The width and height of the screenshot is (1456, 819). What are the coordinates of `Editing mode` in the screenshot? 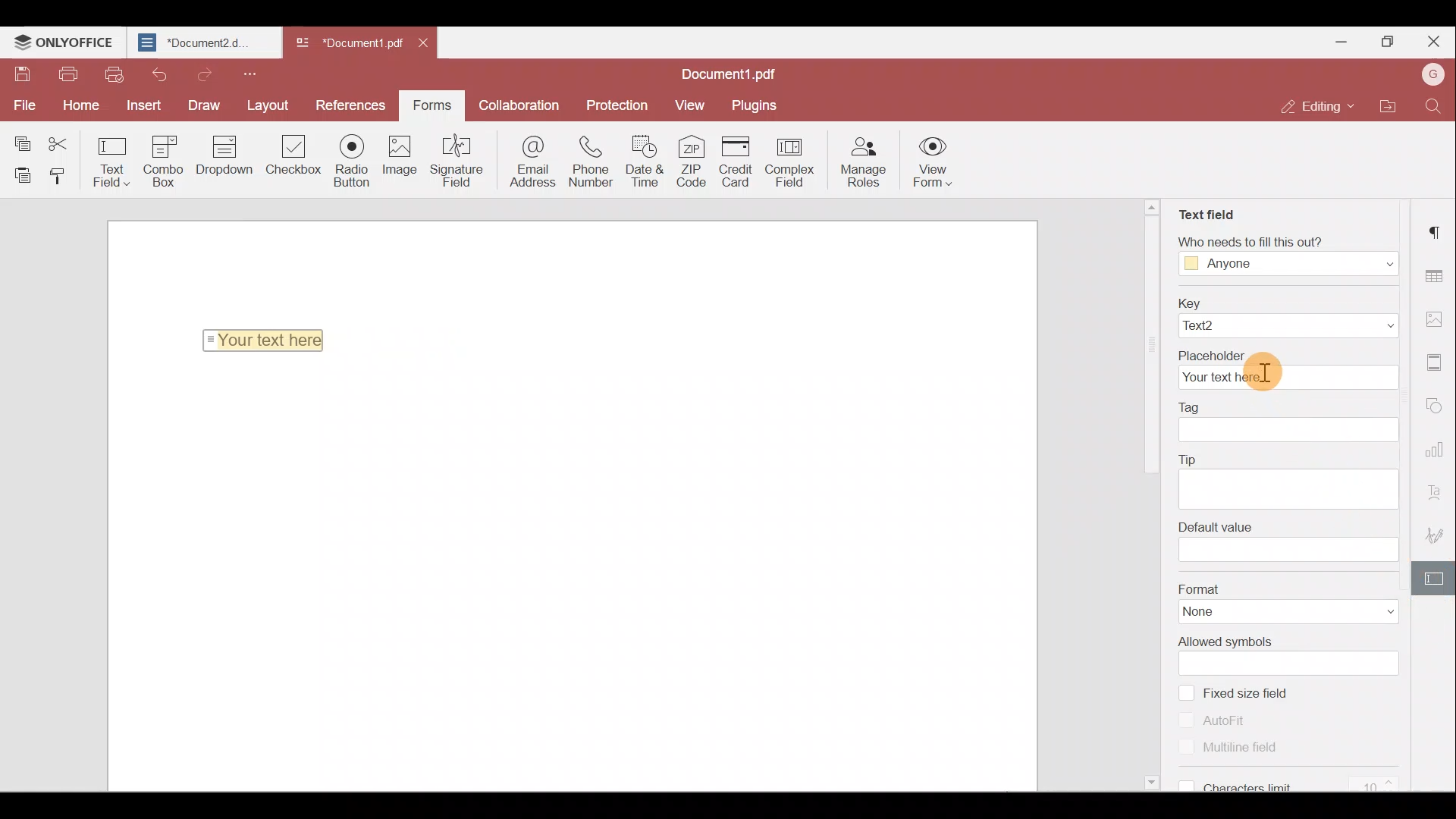 It's located at (1310, 108).